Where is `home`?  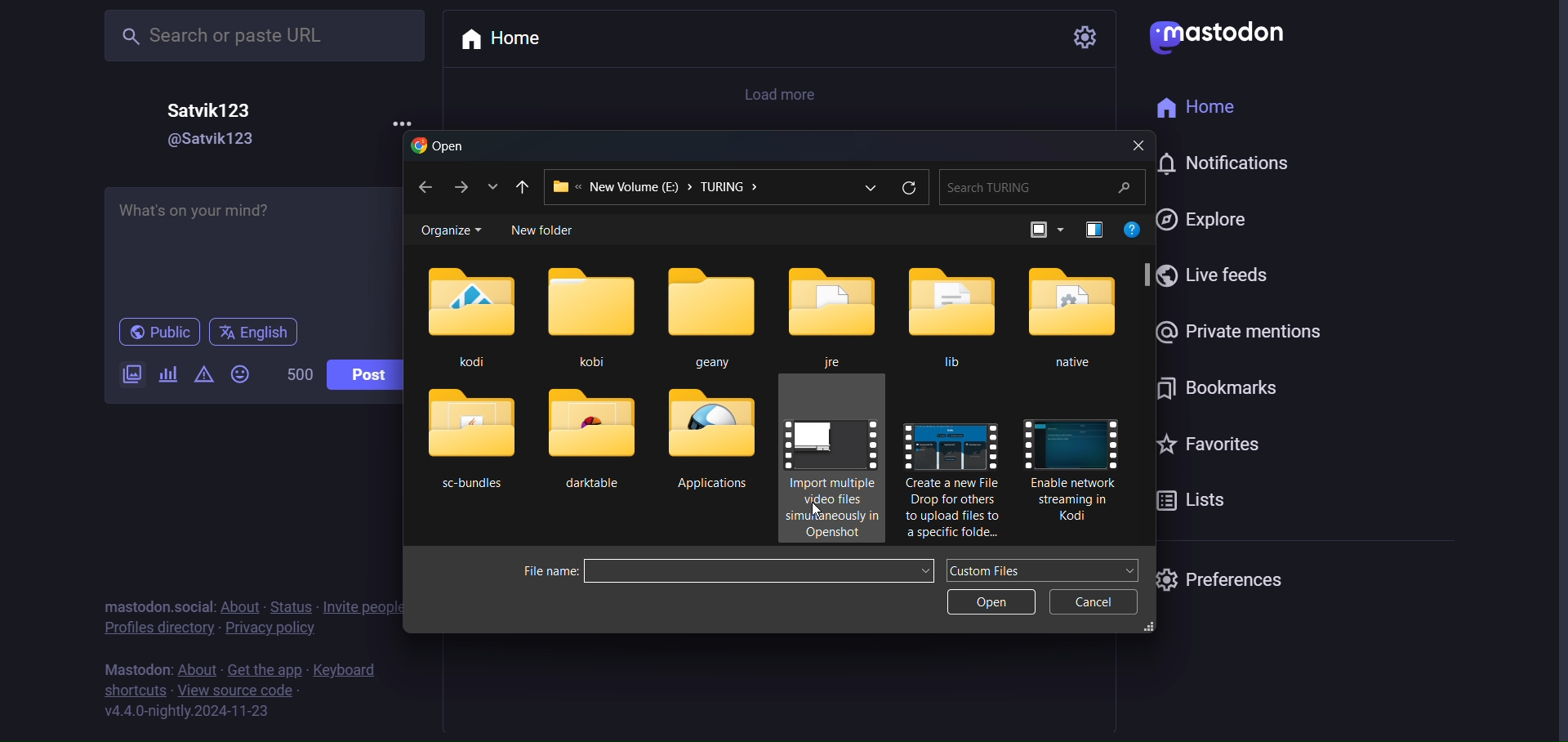
home is located at coordinates (1205, 108).